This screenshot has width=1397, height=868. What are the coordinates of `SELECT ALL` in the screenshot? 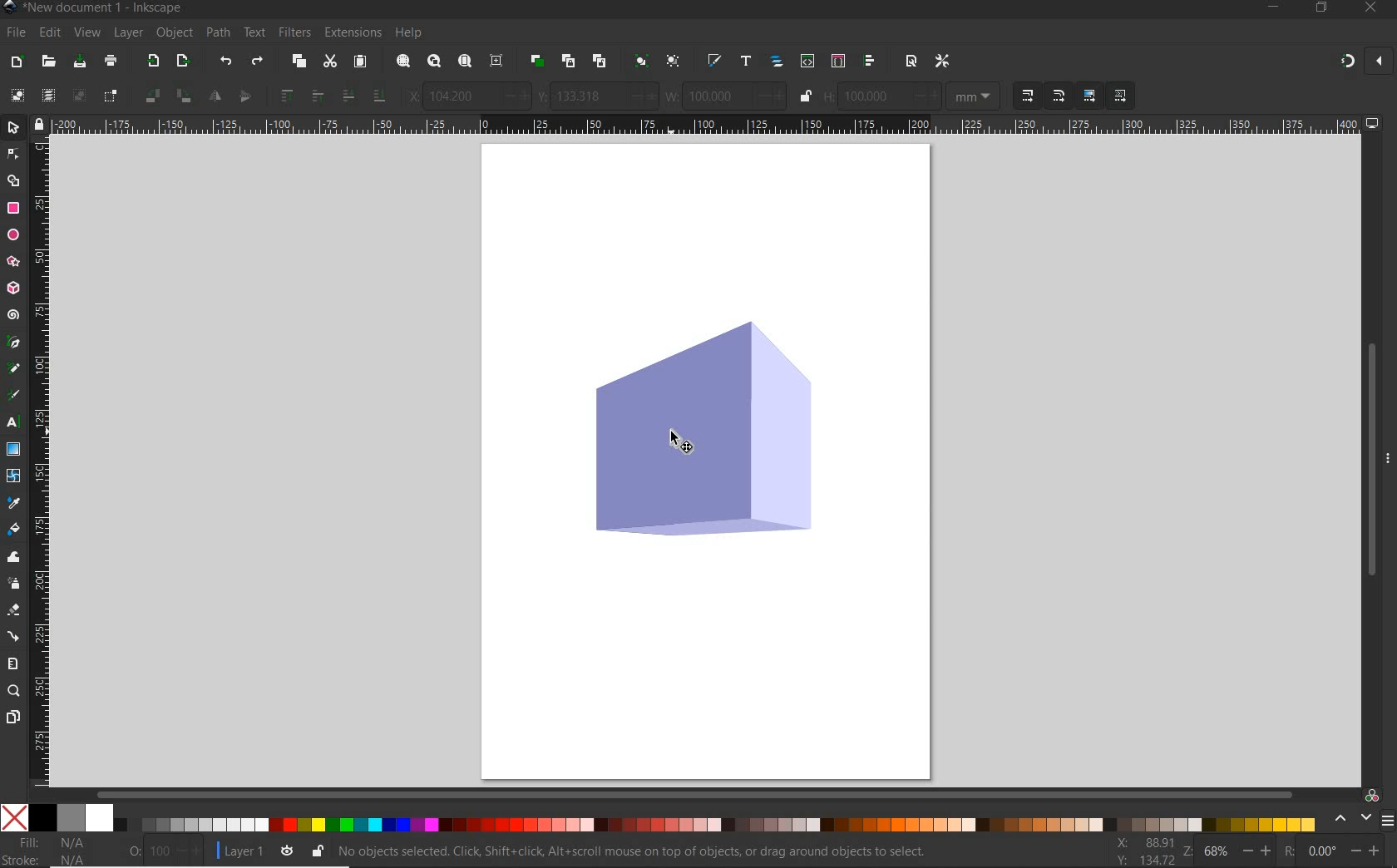 It's located at (16, 93).